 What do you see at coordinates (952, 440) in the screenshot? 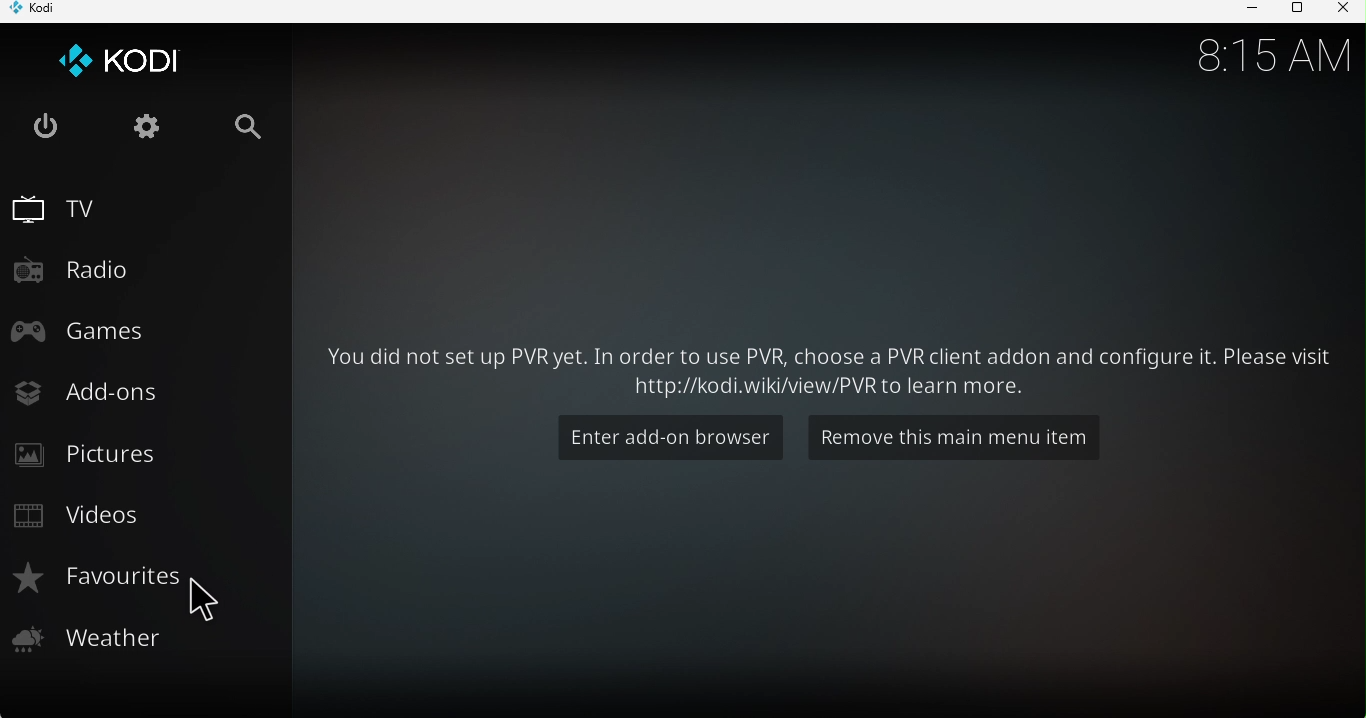
I see `Remove this main menu item` at bounding box center [952, 440].